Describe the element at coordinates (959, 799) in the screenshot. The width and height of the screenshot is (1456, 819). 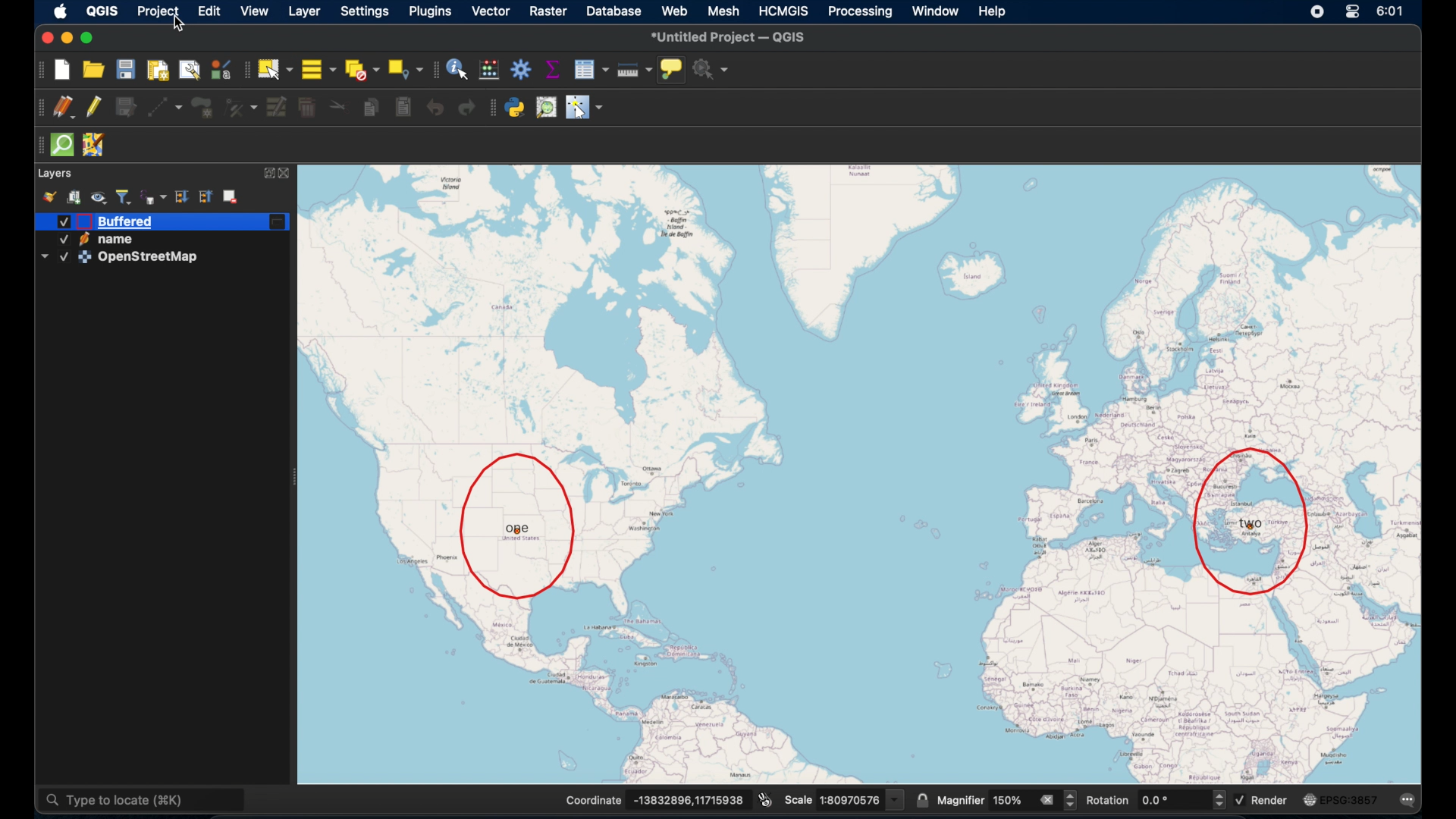
I see `magnifier` at that location.